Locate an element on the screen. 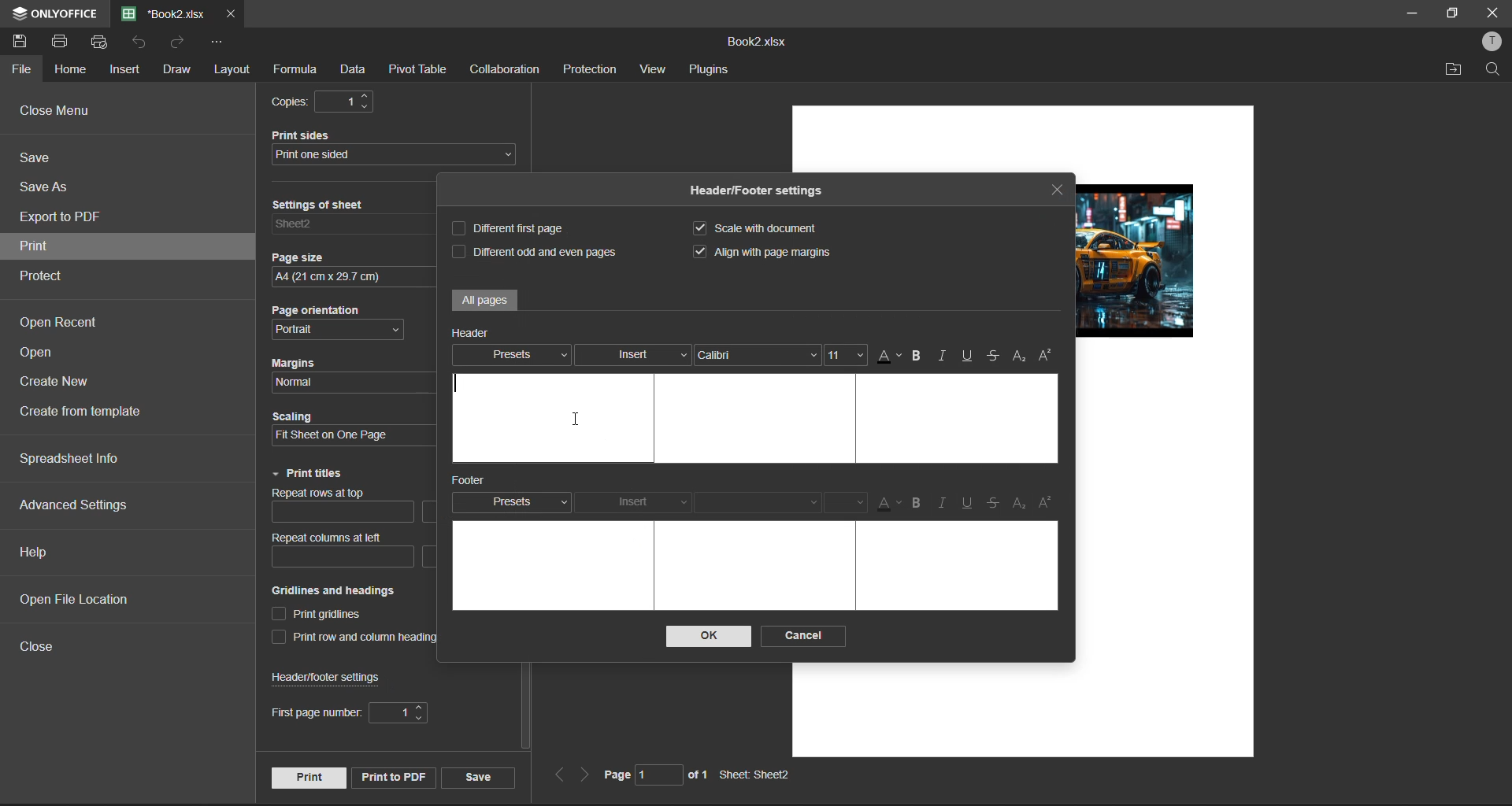  font  color is located at coordinates (888, 357).